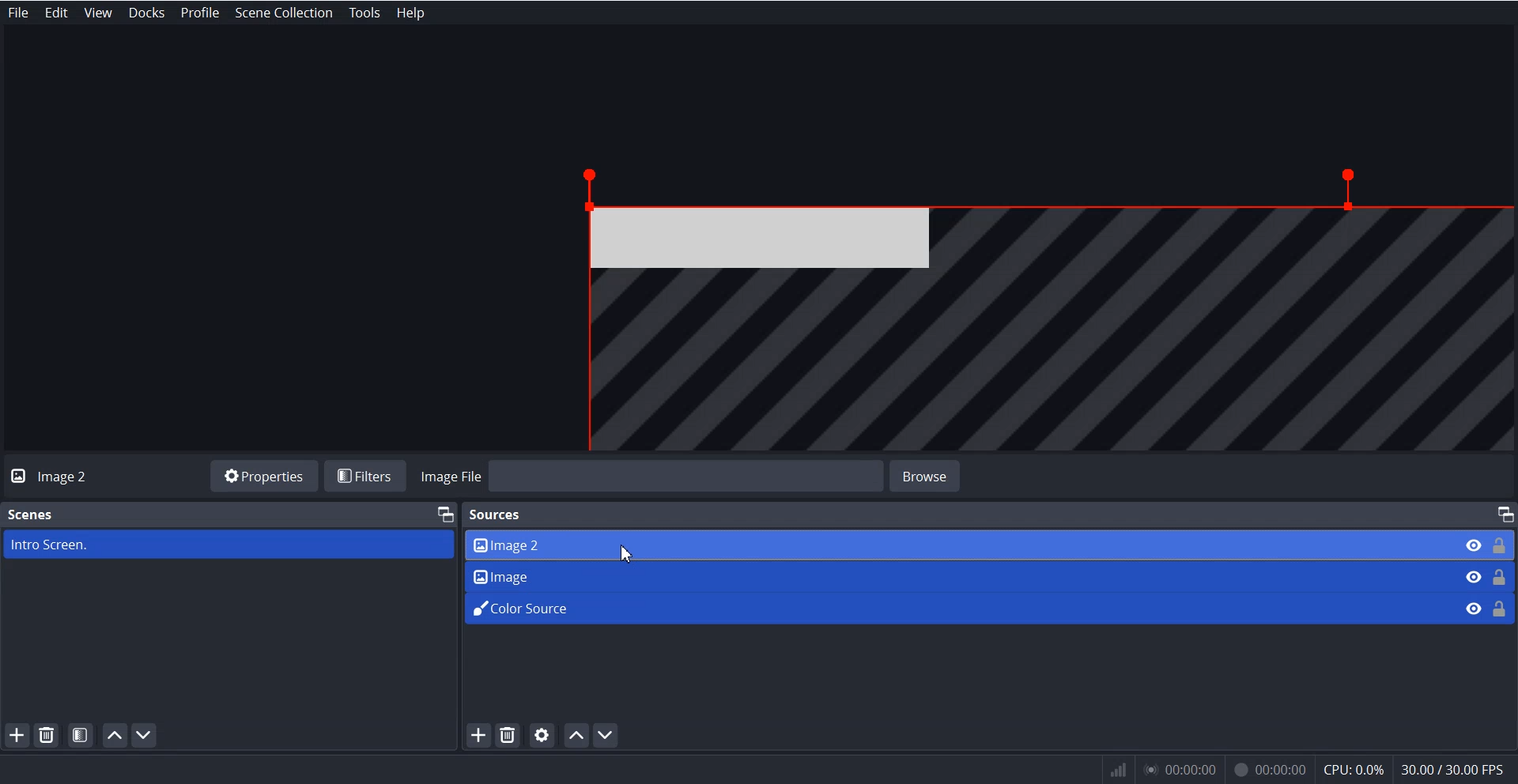  Describe the element at coordinates (1458, 768) in the screenshot. I see `30.007 30.00 EPs` at that location.